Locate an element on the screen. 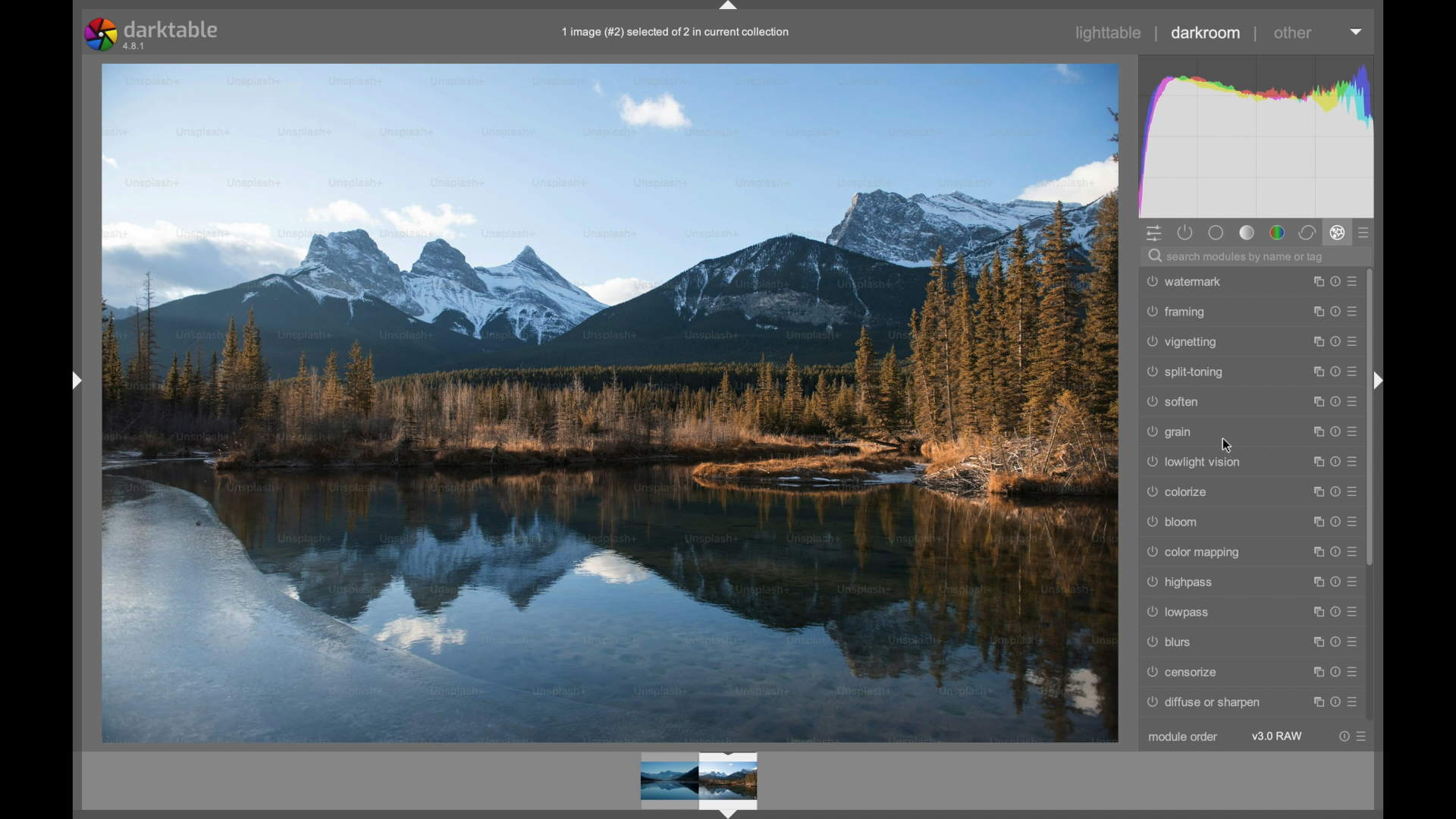 The height and width of the screenshot is (819, 1456). instance is located at coordinates (1314, 312).